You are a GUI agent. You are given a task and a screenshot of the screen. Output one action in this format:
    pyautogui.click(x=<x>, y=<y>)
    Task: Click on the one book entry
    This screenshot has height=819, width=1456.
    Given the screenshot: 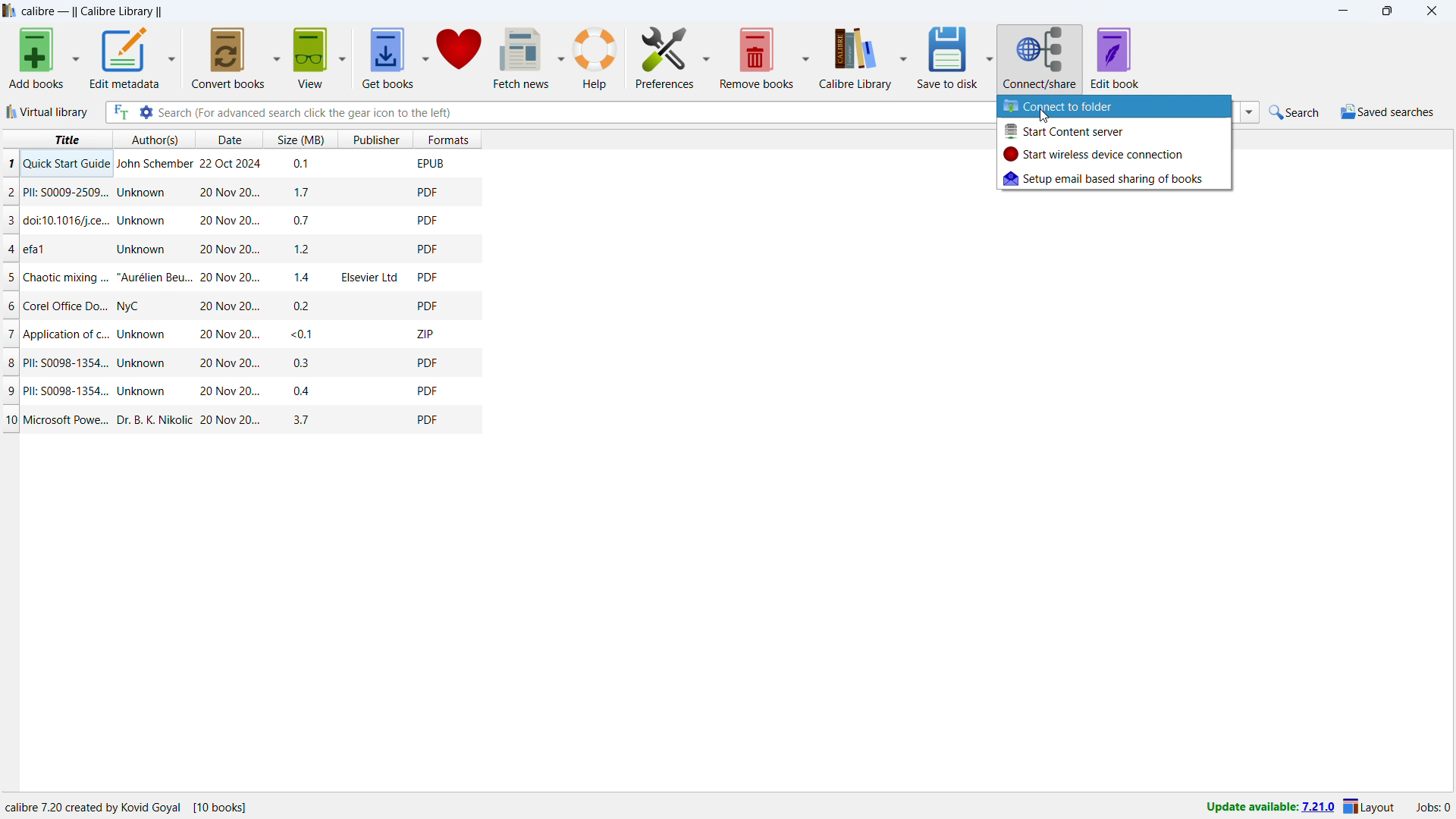 What is the action you would take?
    pyautogui.click(x=239, y=392)
    